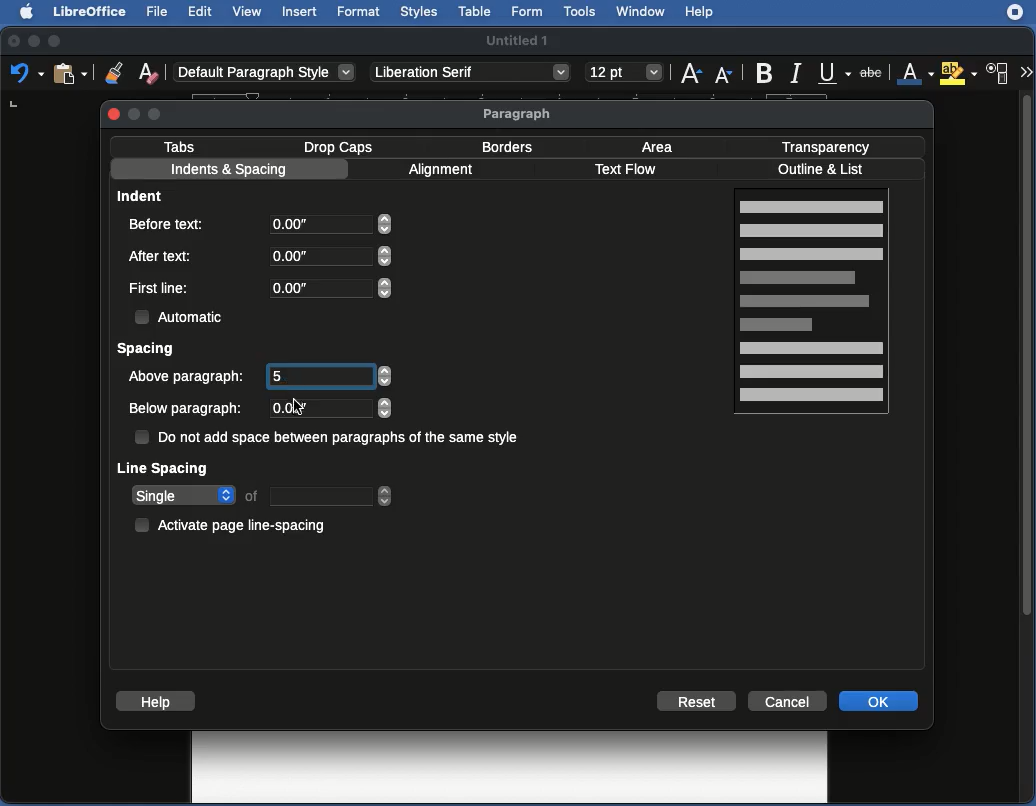  What do you see at coordinates (529, 13) in the screenshot?
I see `Form` at bounding box center [529, 13].